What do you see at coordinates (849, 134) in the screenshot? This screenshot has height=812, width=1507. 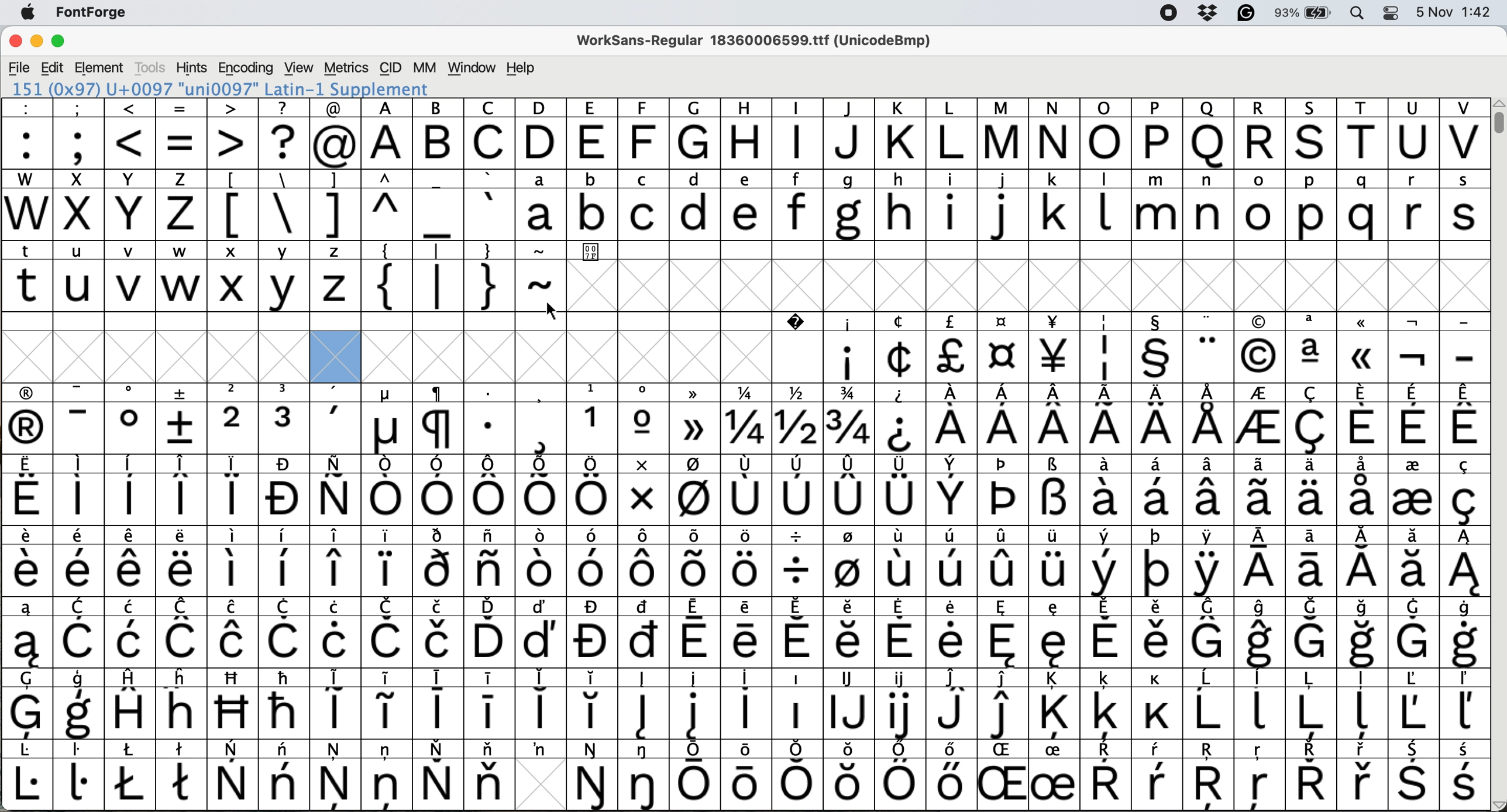 I see `J` at bounding box center [849, 134].